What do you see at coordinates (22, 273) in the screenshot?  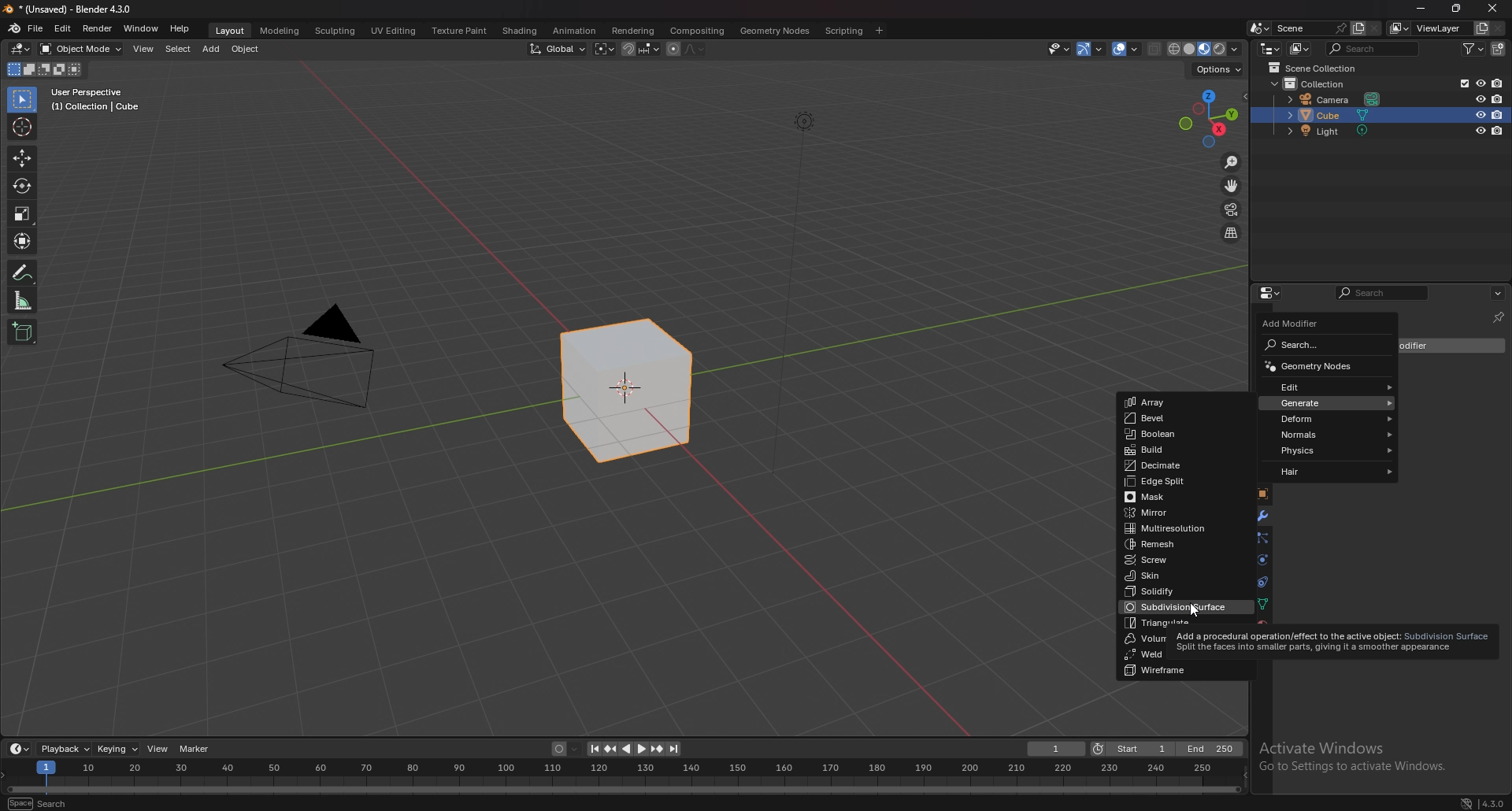 I see `annotate` at bounding box center [22, 273].